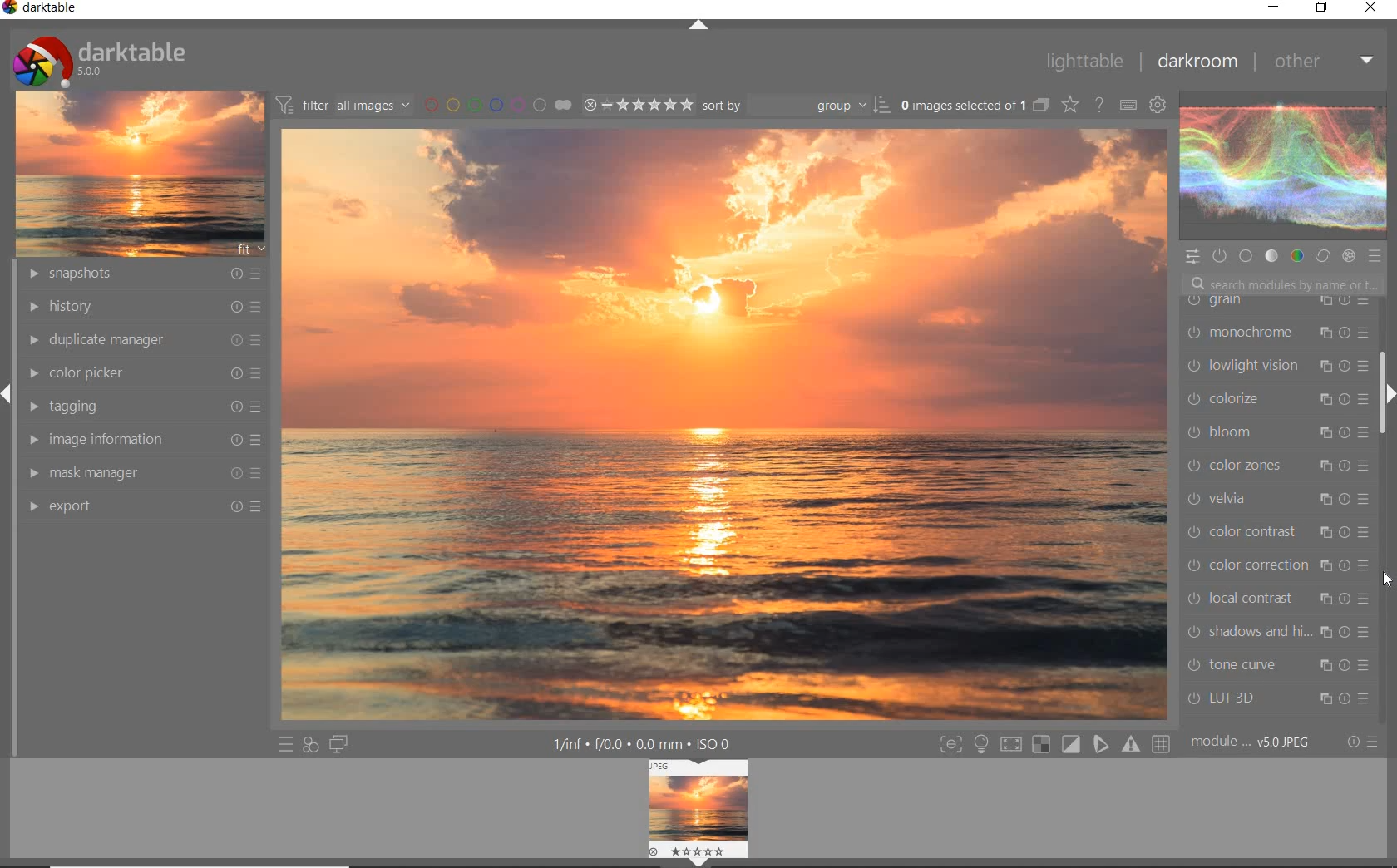 The height and width of the screenshot is (868, 1397). Describe the element at coordinates (42, 9) in the screenshot. I see `darktable` at that location.